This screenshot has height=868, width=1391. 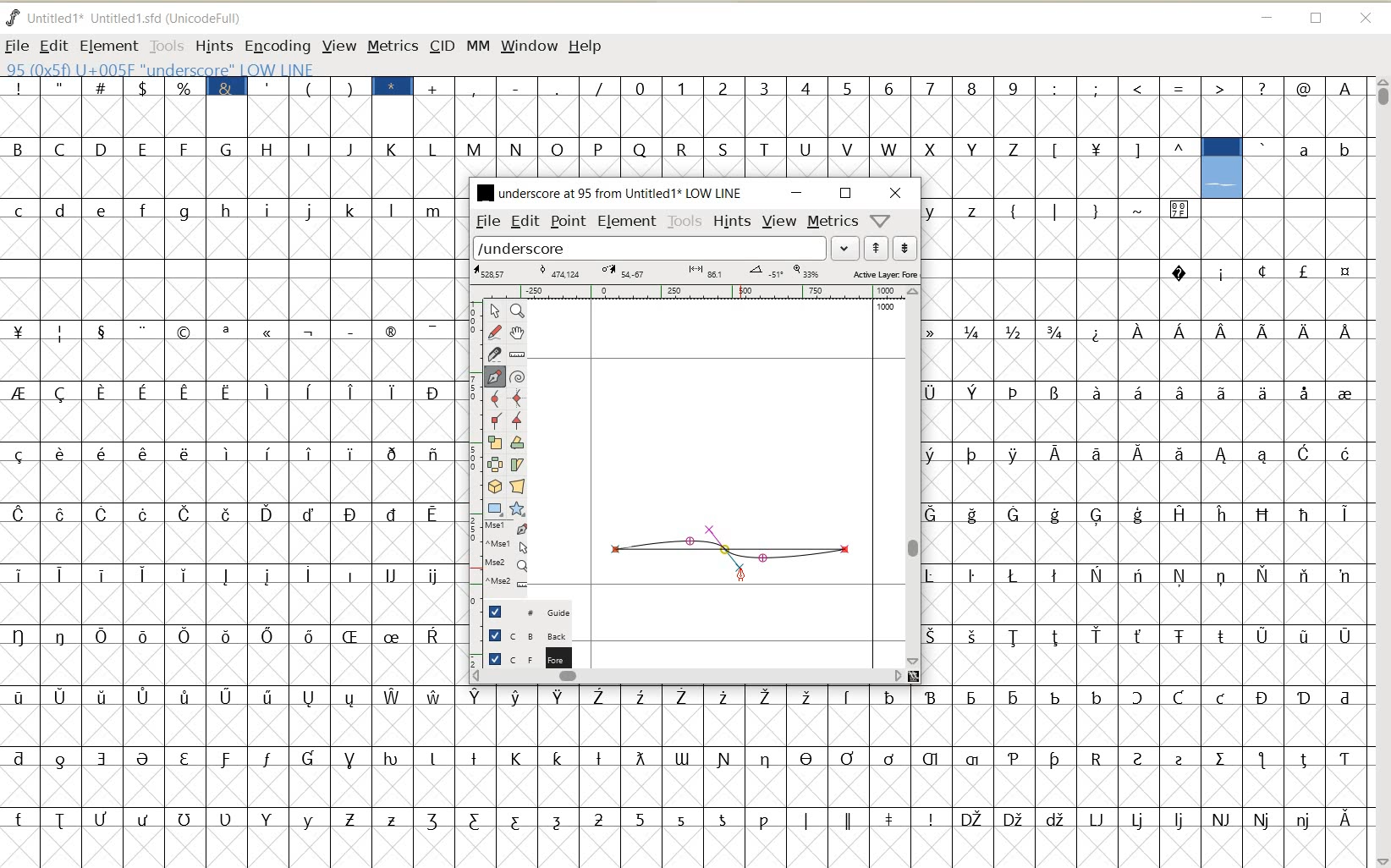 I want to click on FILE, so click(x=17, y=46).